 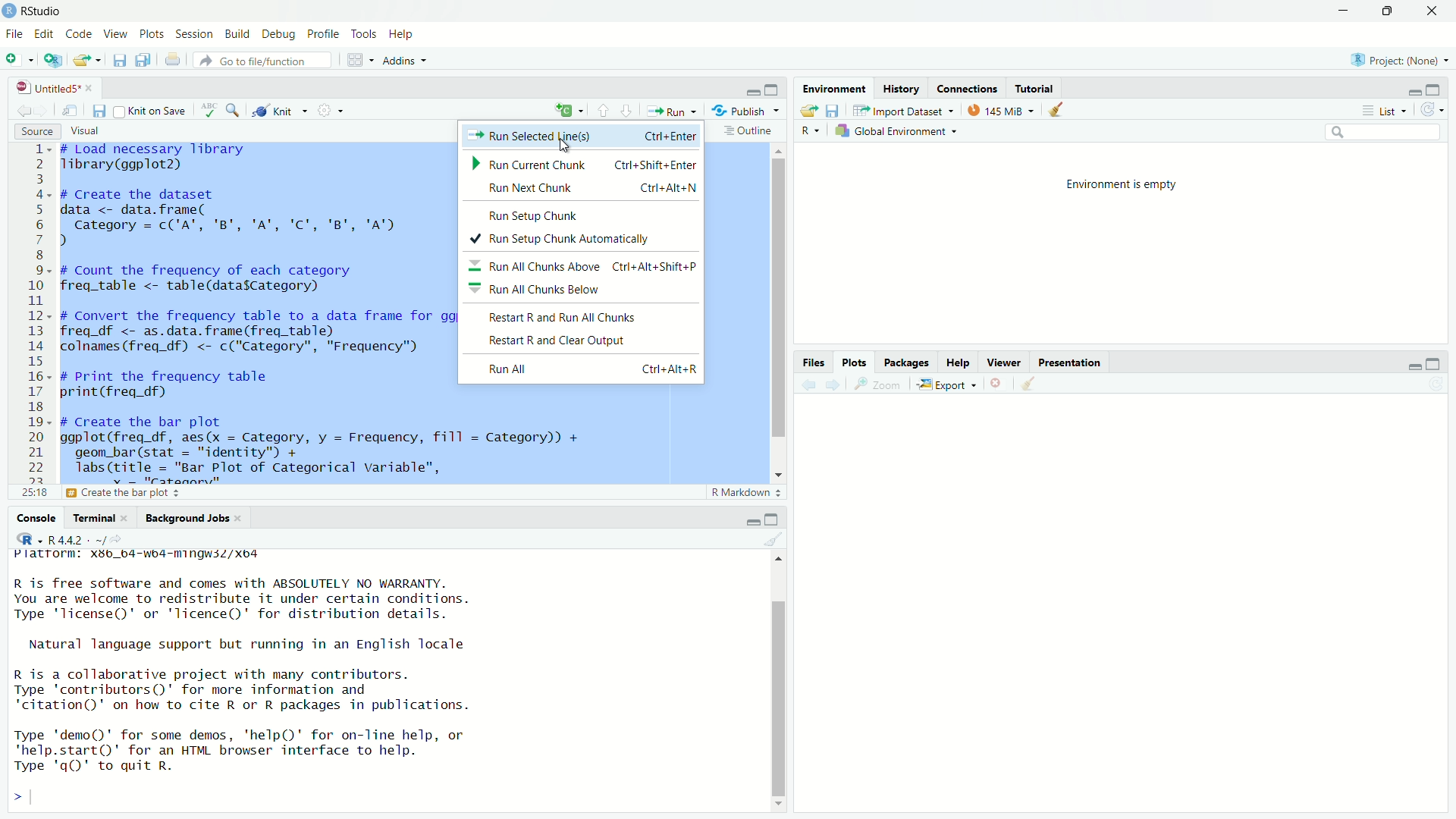 What do you see at coordinates (403, 35) in the screenshot?
I see `help` at bounding box center [403, 35].